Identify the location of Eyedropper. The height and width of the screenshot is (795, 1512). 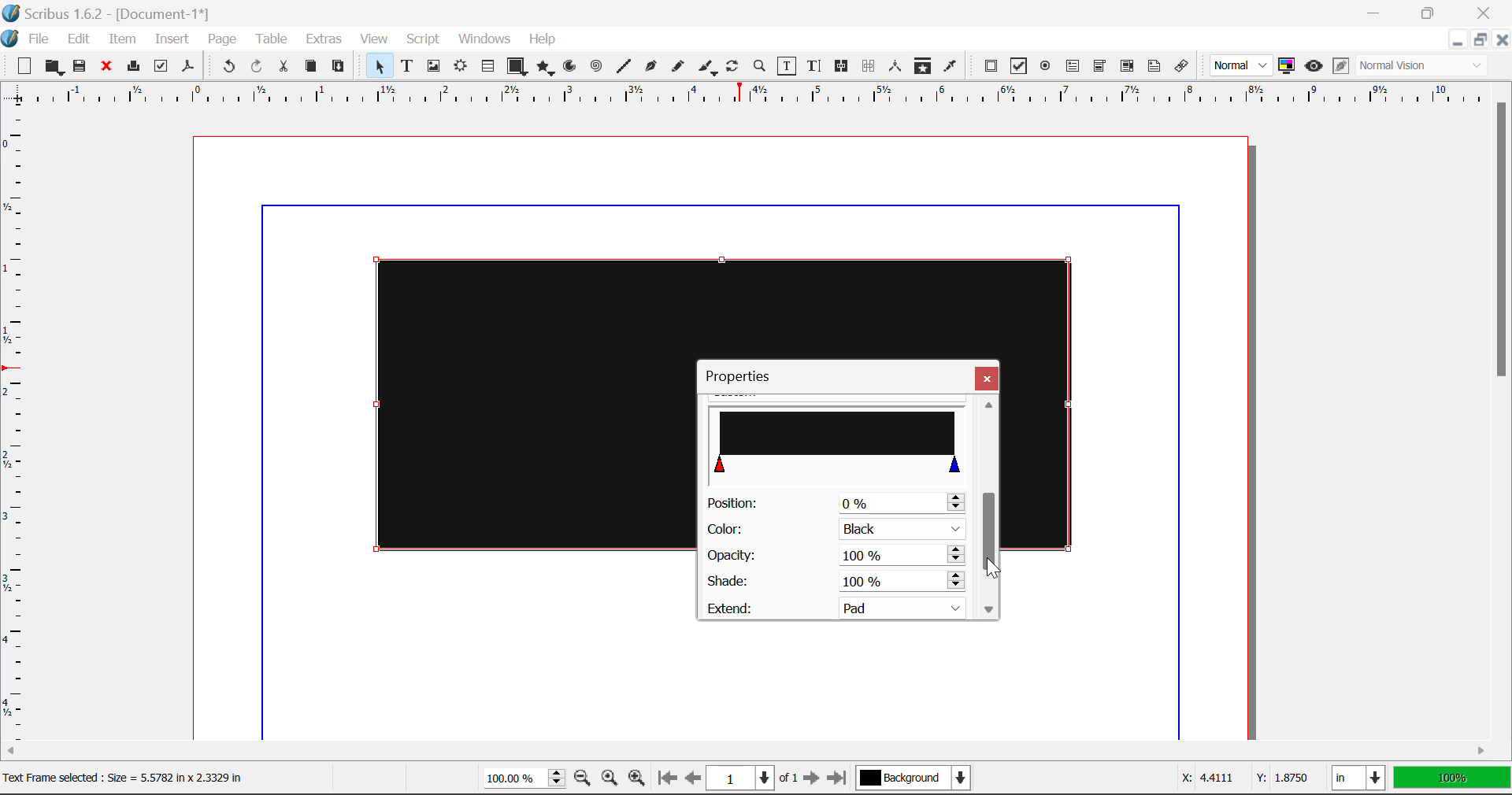
(950, 68).